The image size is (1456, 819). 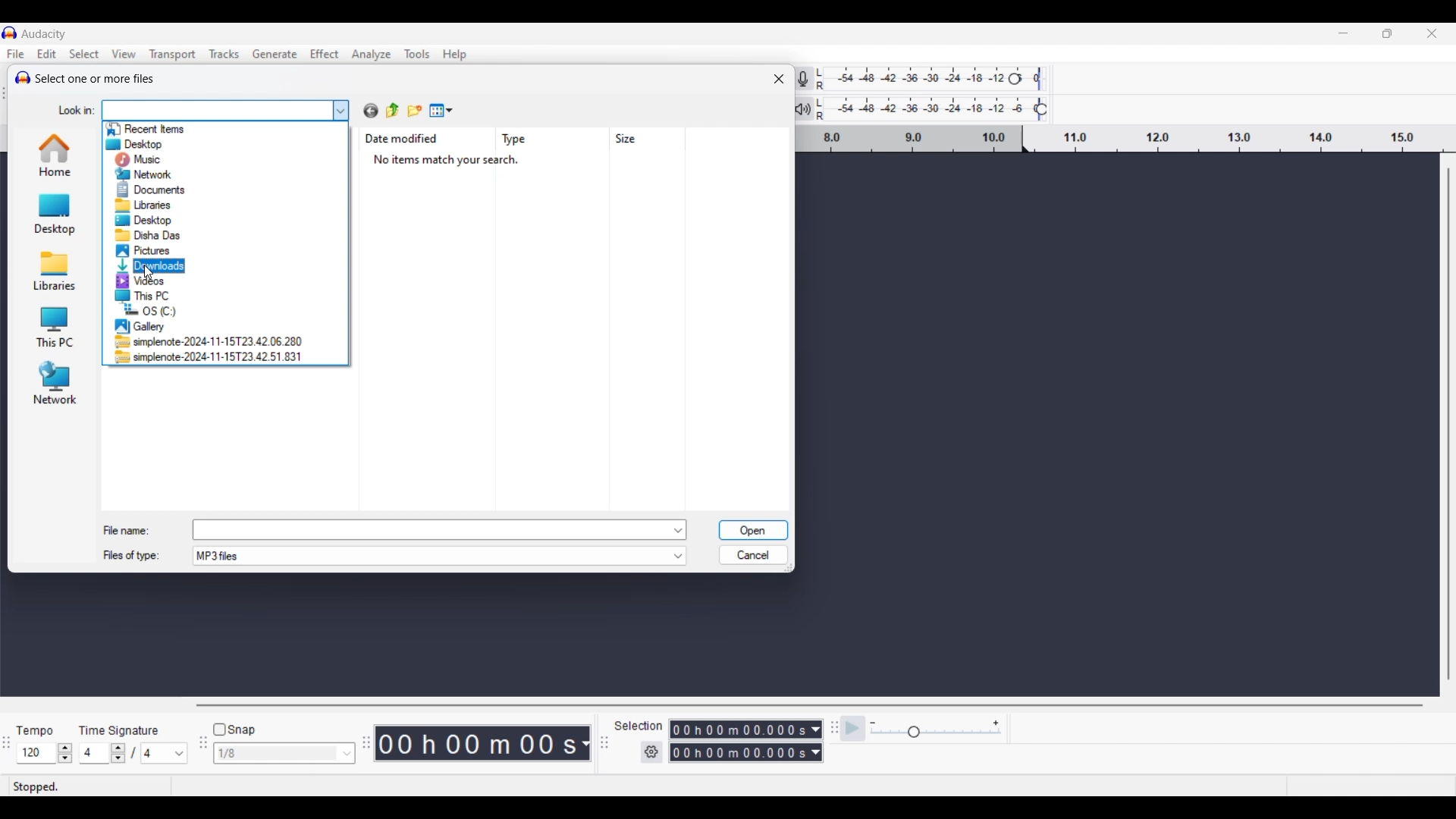 What do you see at coordinates (85, 54) in the screenshot?
I see `Select menu` at bounding box center [85, 54].